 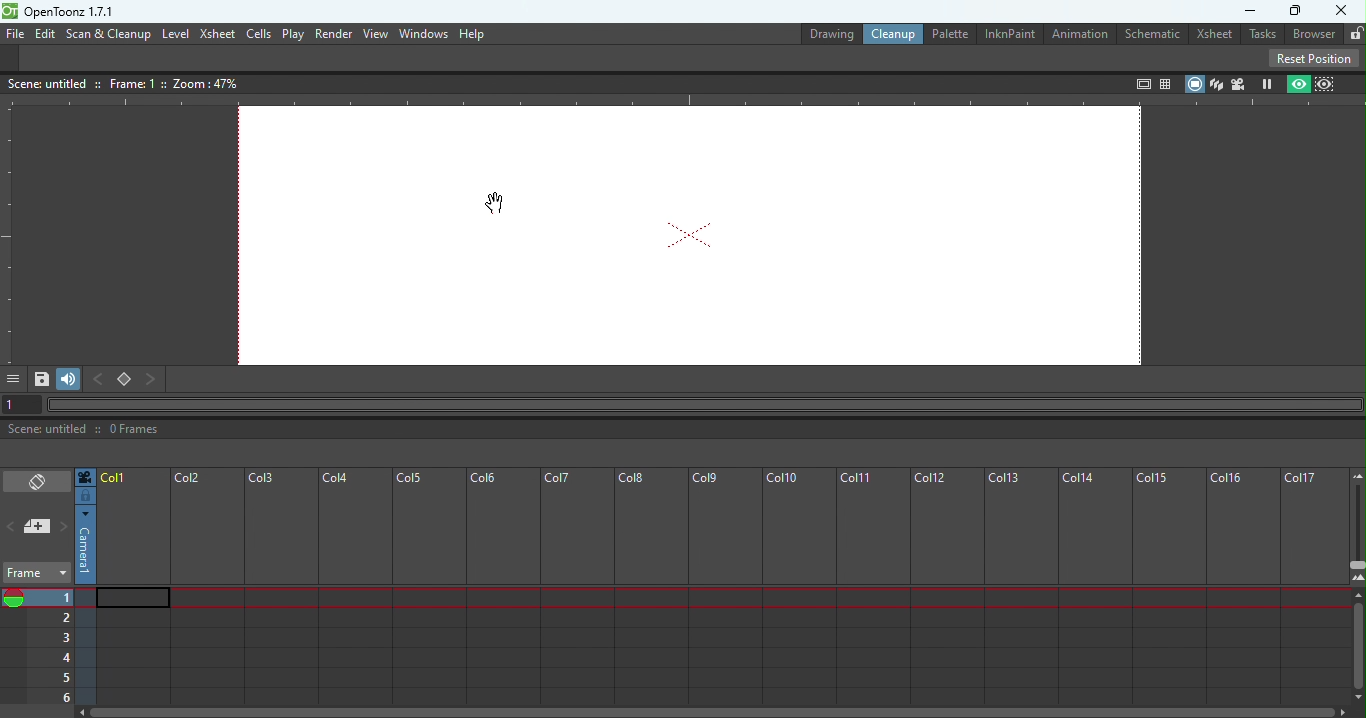 I want to click on Status bar, so click(x=679, y=429).